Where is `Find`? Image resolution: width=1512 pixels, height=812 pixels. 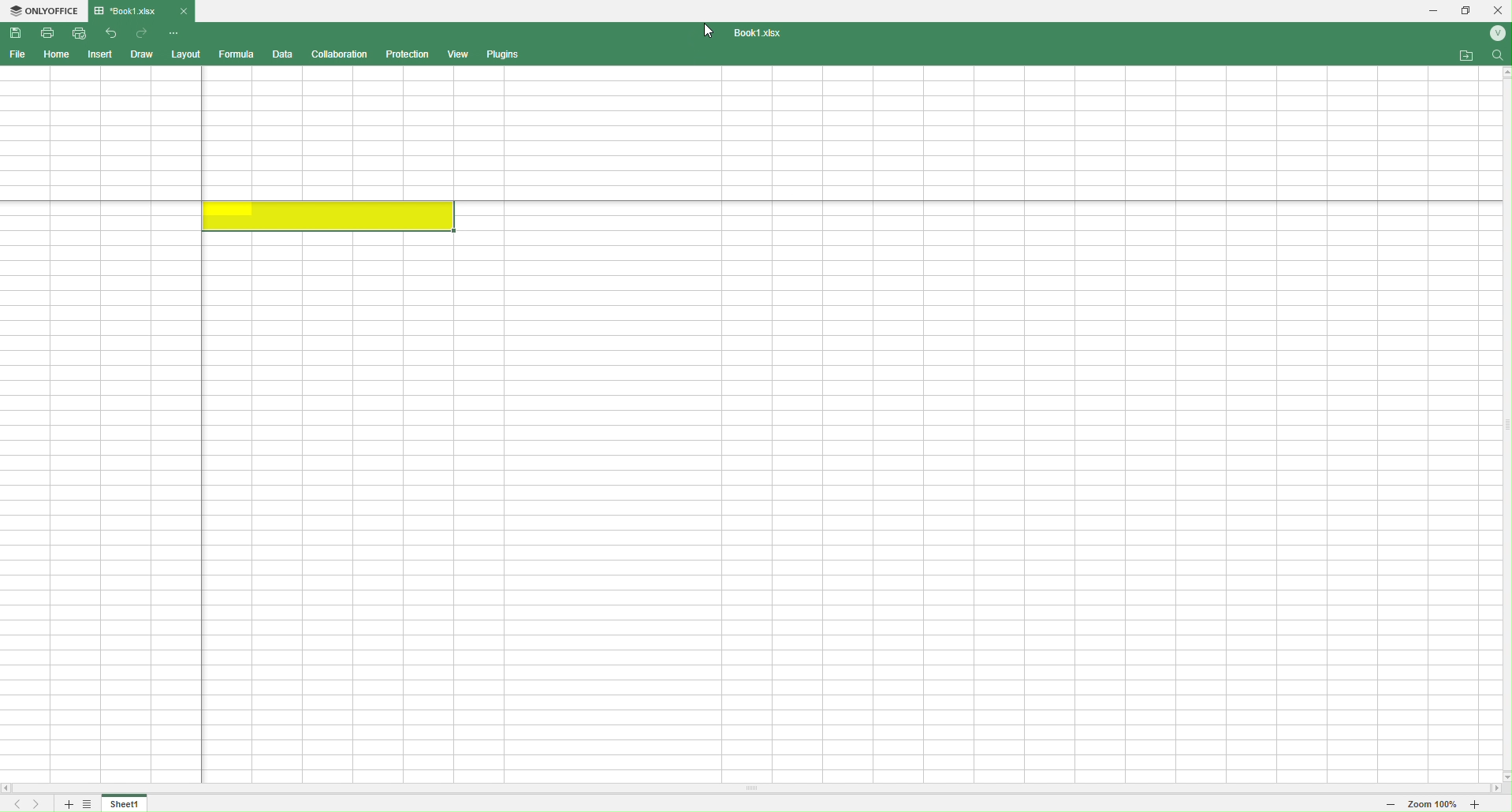
Find is located at coordinates (1499, 58).